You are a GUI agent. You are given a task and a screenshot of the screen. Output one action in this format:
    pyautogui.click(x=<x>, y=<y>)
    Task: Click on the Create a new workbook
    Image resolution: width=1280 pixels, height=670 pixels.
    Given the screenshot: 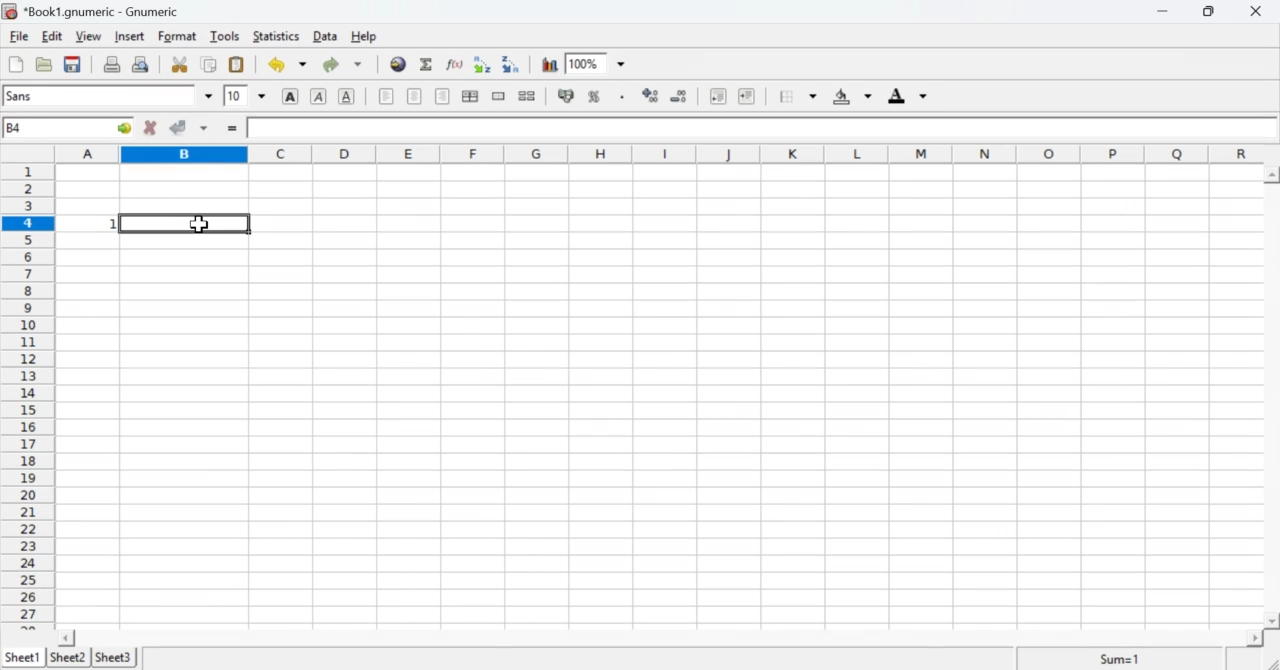 What is the action you would take?
    pyautogui.click(x=15, y=65)
    